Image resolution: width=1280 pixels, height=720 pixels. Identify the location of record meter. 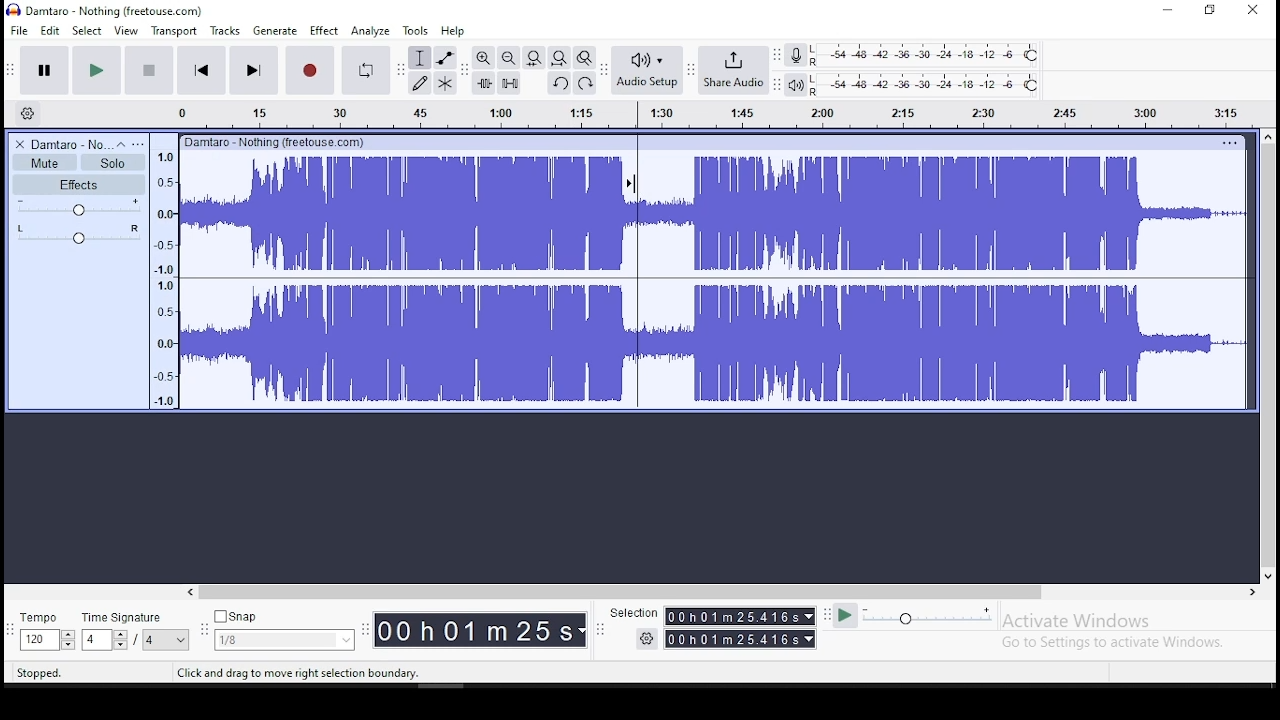
(796, 55).